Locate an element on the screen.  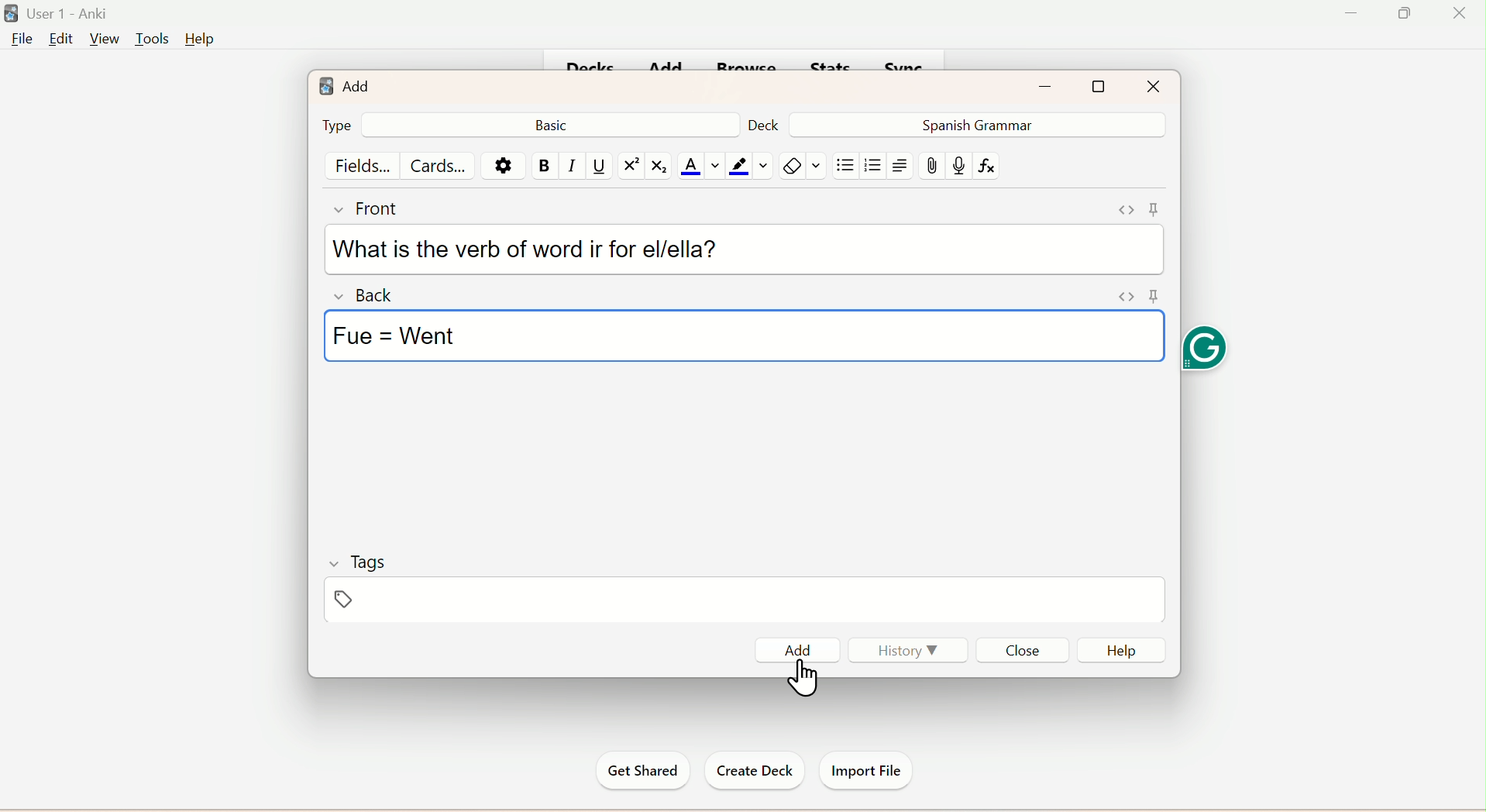
 is located at coordinates (365, 295).